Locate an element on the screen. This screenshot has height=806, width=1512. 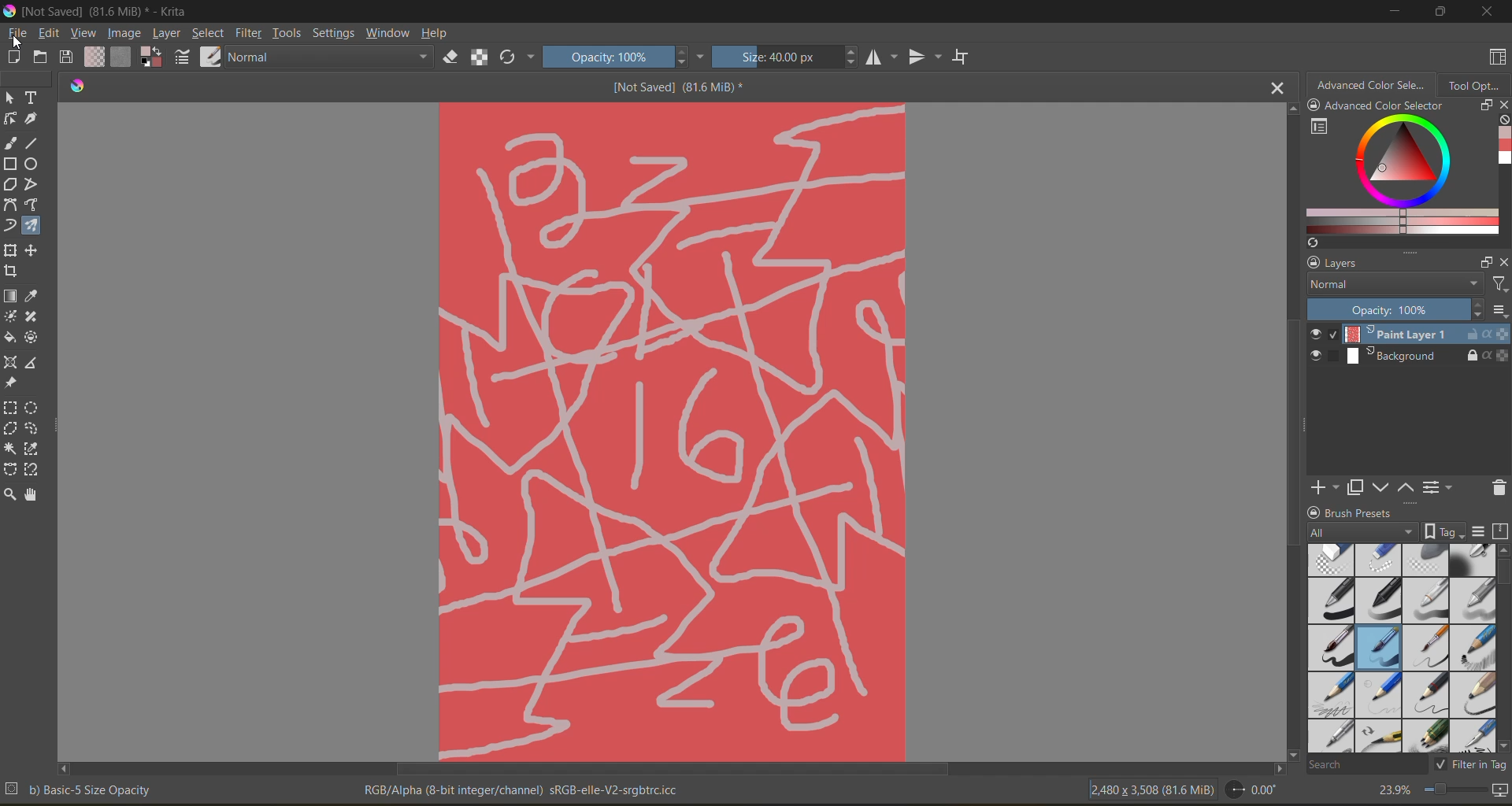
tool is located at coordinates (36, 142).